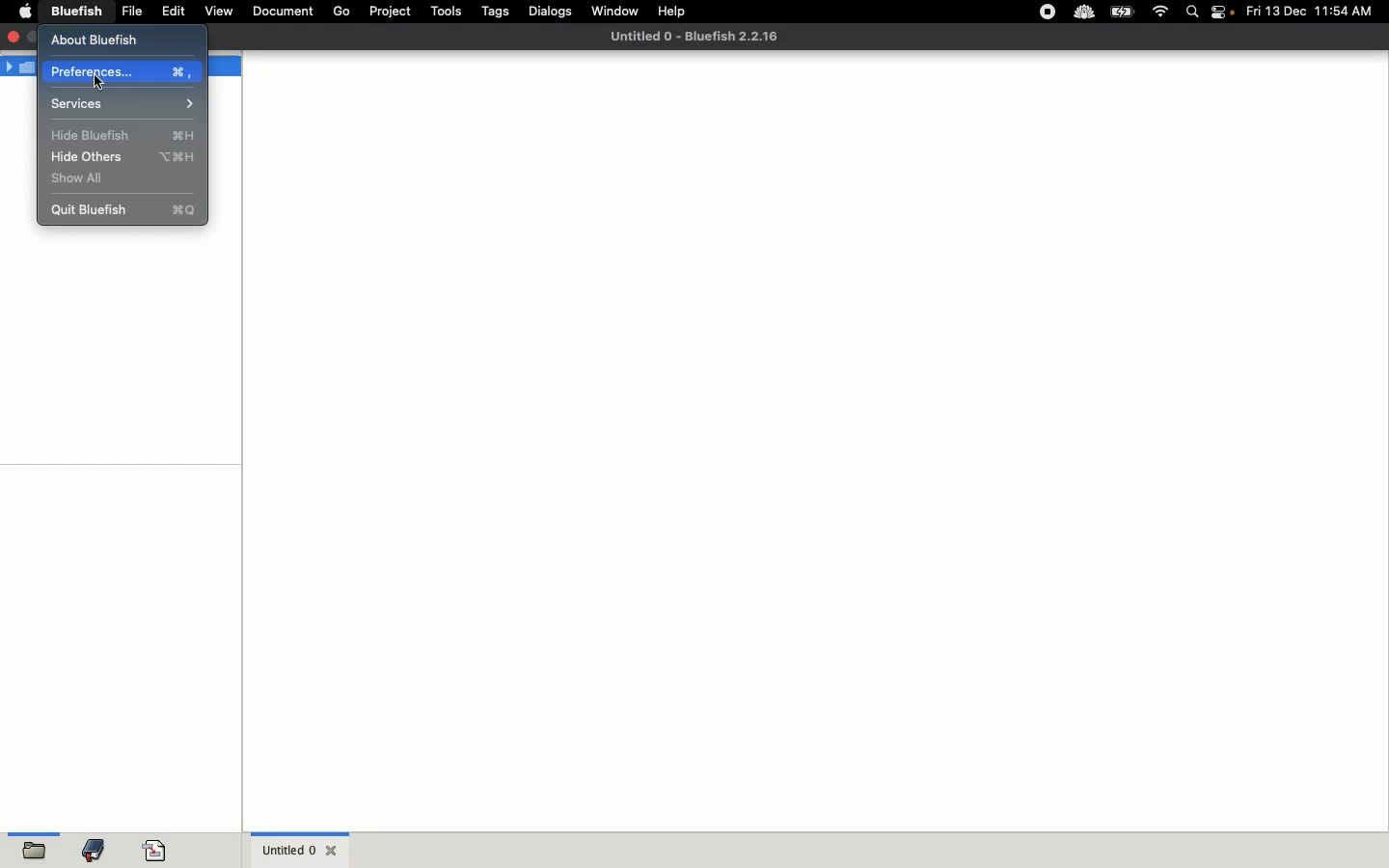 The height and width of the screenshot is (868, 1389). What do you see at coordinates (672, 11) in the screenshot?
I see `Help` at bounding box center [672, 11].